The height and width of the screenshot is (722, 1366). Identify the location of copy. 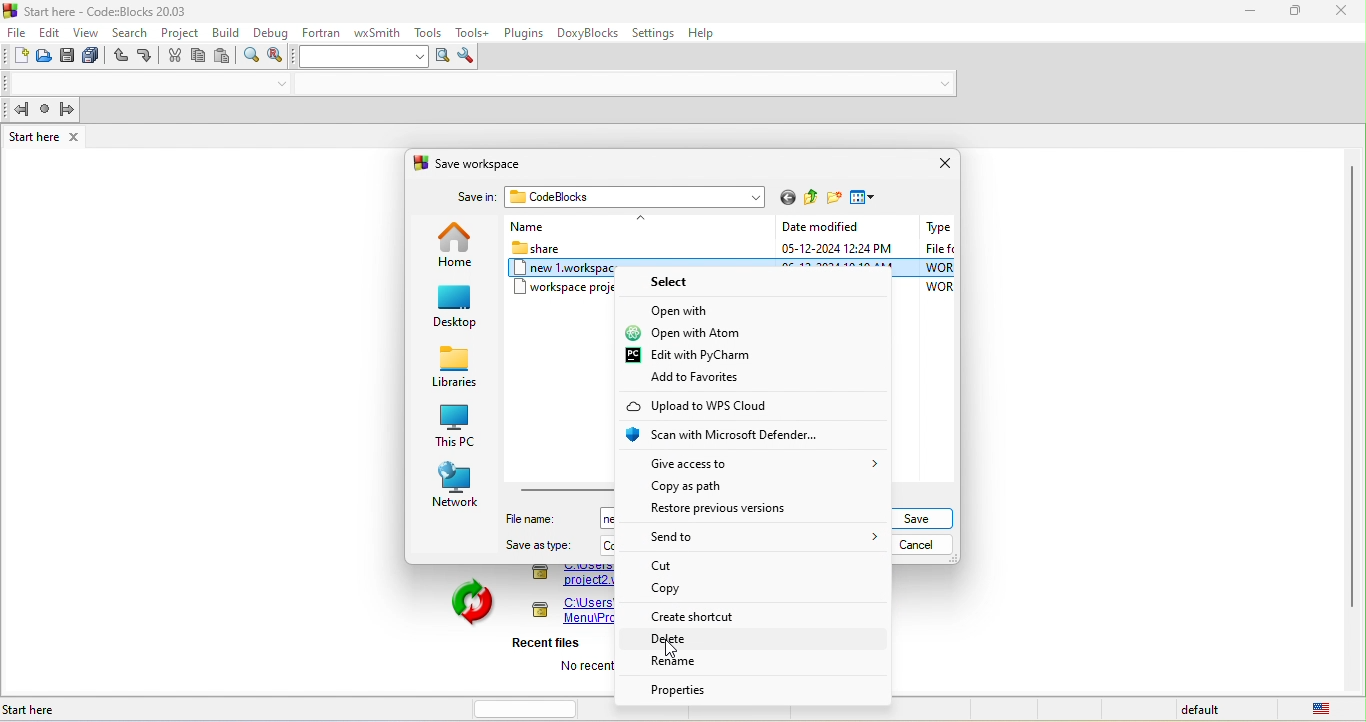
(677, 590).